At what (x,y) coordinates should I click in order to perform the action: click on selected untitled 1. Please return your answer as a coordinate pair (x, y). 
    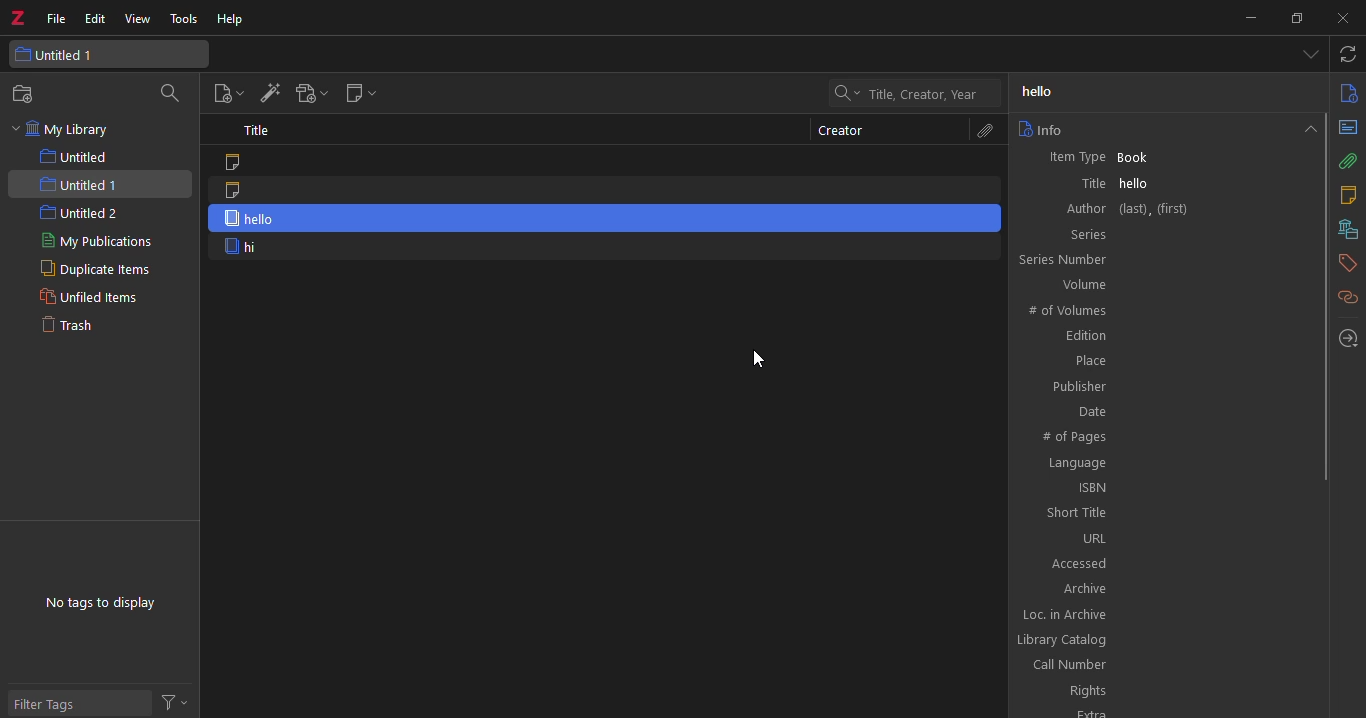
    Looking at the image, I should click on (99, 184).